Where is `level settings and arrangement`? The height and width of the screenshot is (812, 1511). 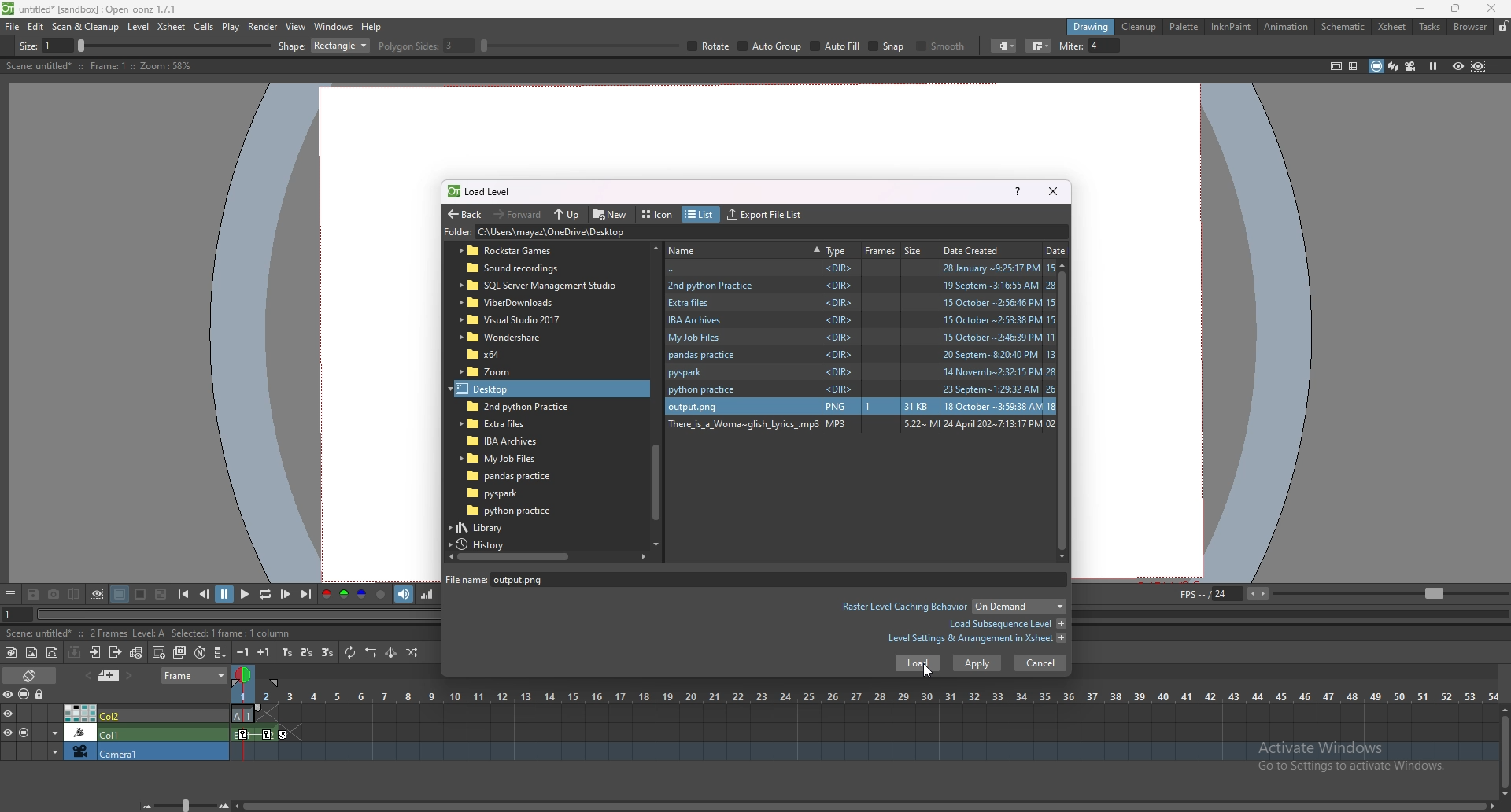 level settings and arrangement is located at coordinates (977, 638).